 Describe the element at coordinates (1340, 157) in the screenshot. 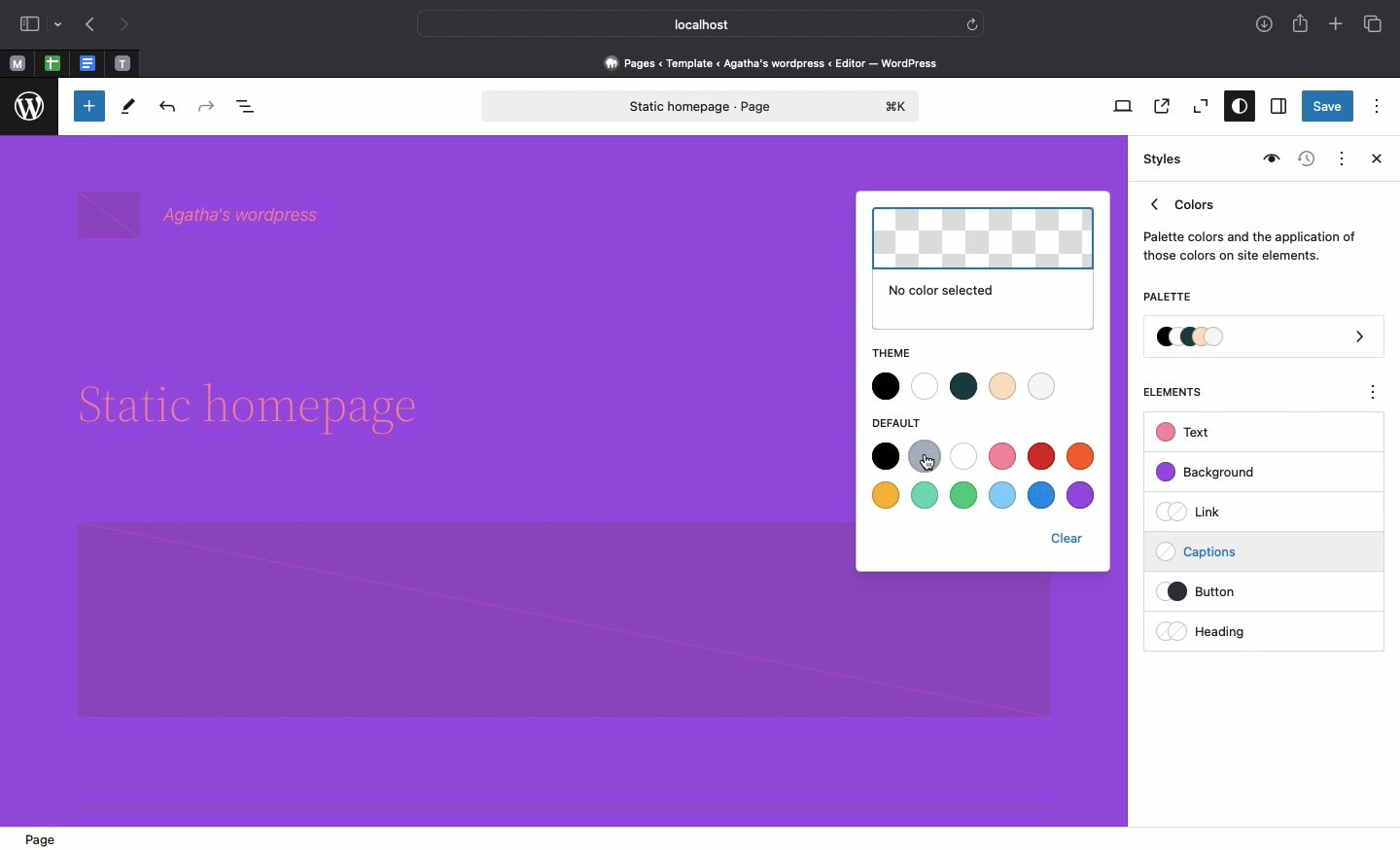

I see `Actions` at that location.